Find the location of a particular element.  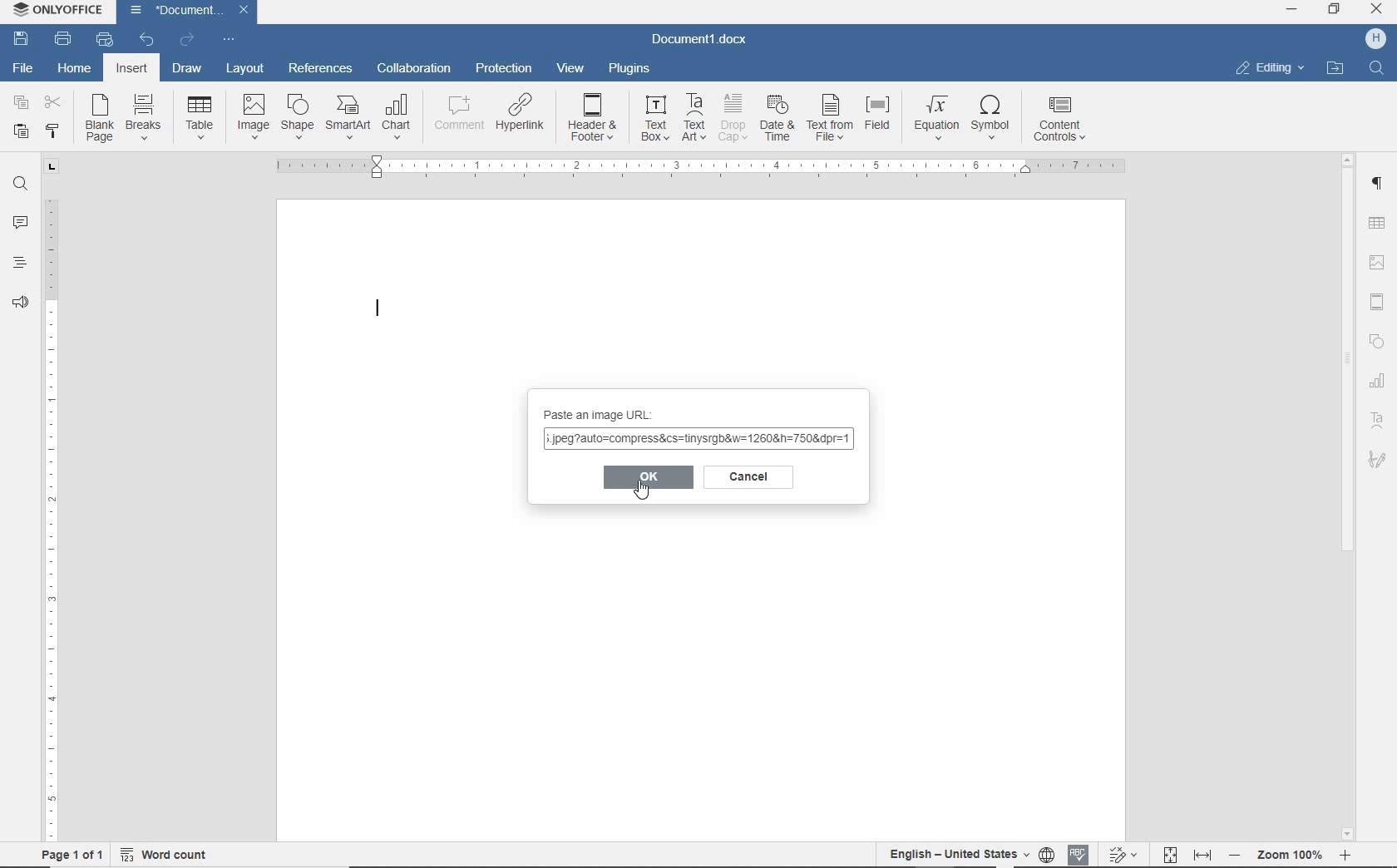

ruler is located at coordinates (698, 169).